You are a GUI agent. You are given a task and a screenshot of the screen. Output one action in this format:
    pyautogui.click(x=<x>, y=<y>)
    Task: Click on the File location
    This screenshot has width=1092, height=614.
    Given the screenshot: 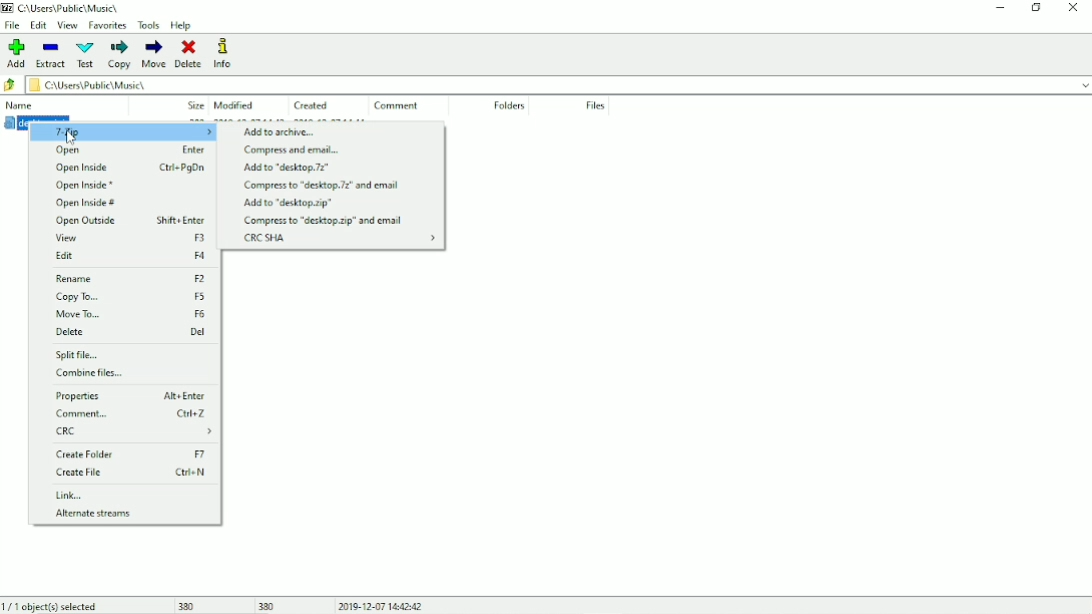 What is the action you would take?
    pyautogui.click(x=558, y=84)
    